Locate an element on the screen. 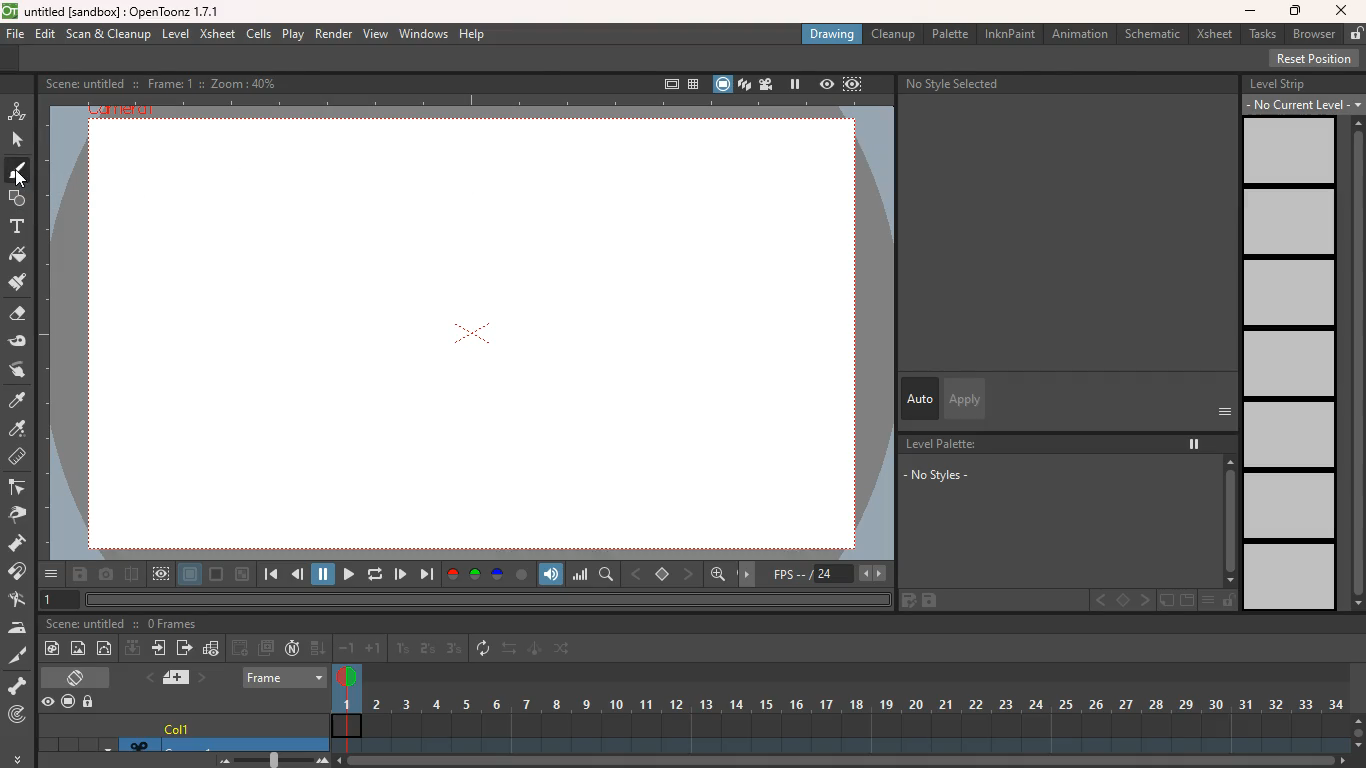 The image size is (1366, 768). move is located at coordinates (160, 650).